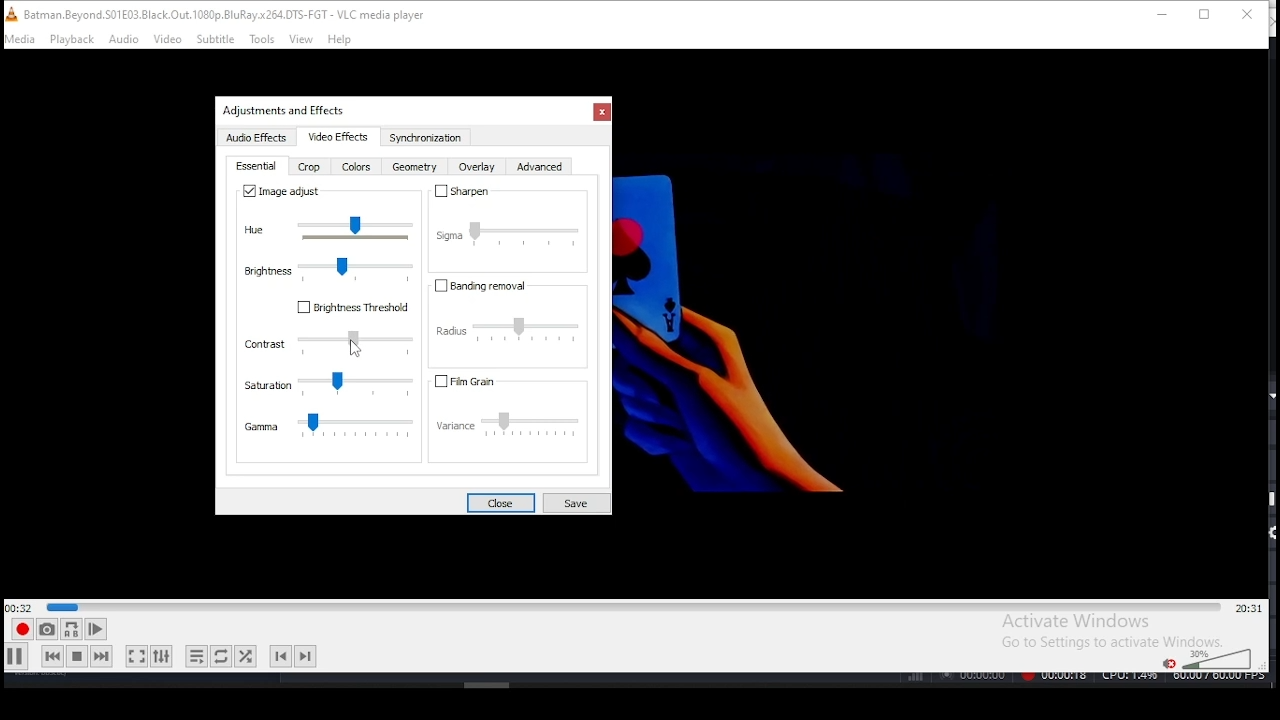 The height and width of the screenshot is (720, 1280). Describe the element at coordinates (219, 657) in the screenshot. I see `click to toggle between, loop all, loop one, and no loop` at that location.